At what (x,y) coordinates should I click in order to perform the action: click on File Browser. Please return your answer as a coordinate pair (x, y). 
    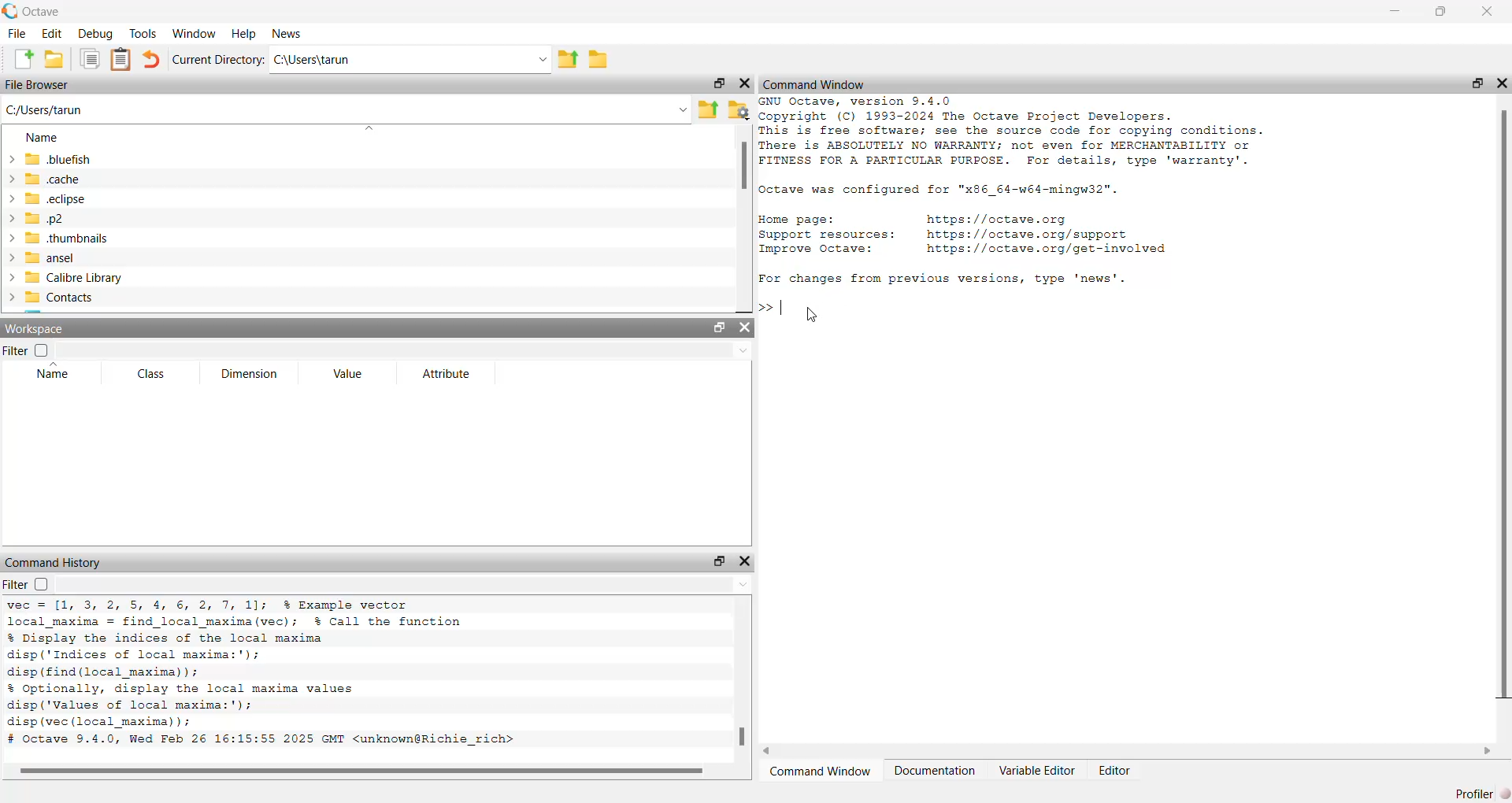
    Looking at the image, I should click on (36, 84).